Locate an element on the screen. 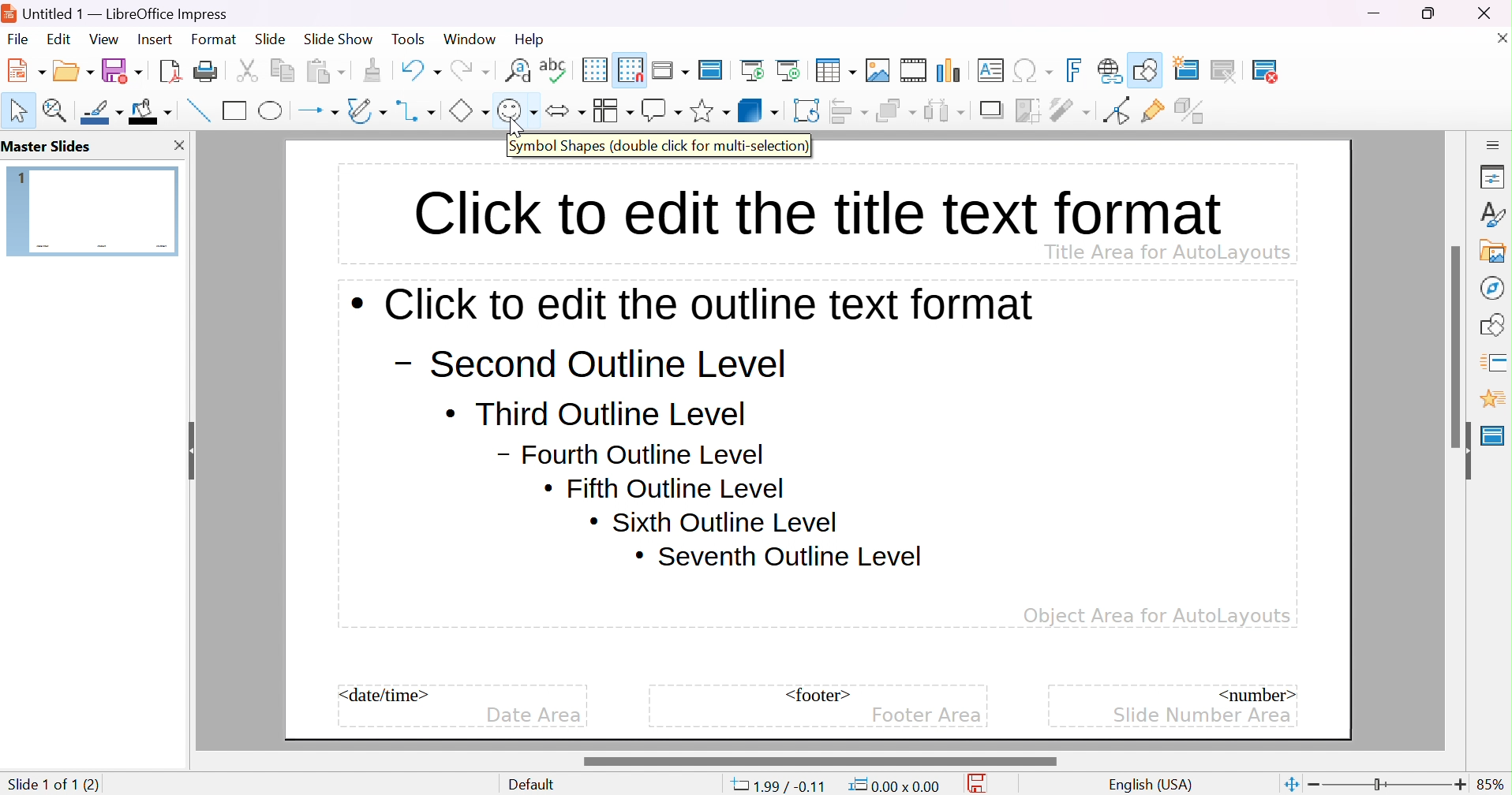 The image size is (1512, 795). hide is located at coordinates (1463, 451).